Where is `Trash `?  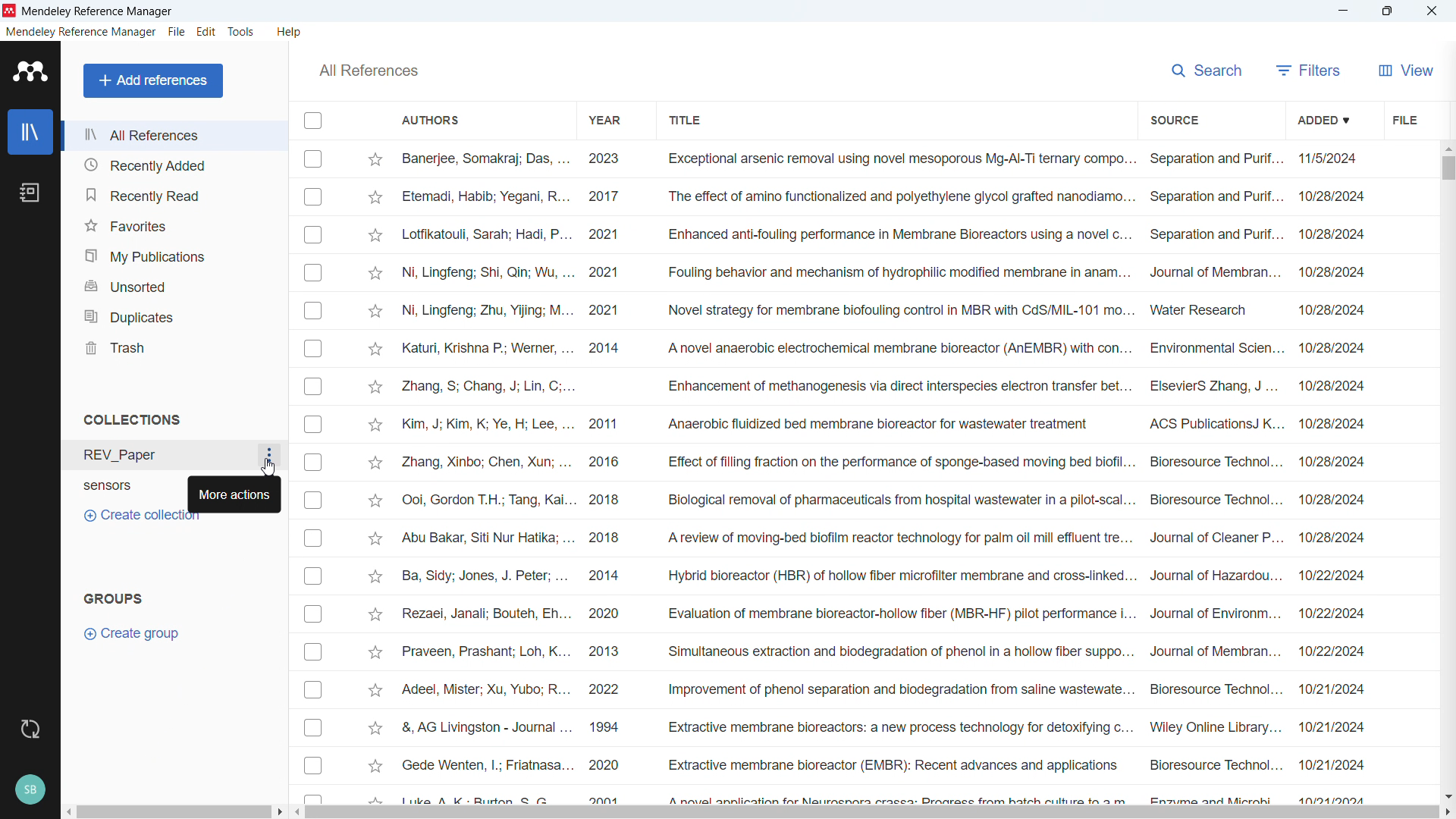 Trash  is located at coordinates (173, 347).